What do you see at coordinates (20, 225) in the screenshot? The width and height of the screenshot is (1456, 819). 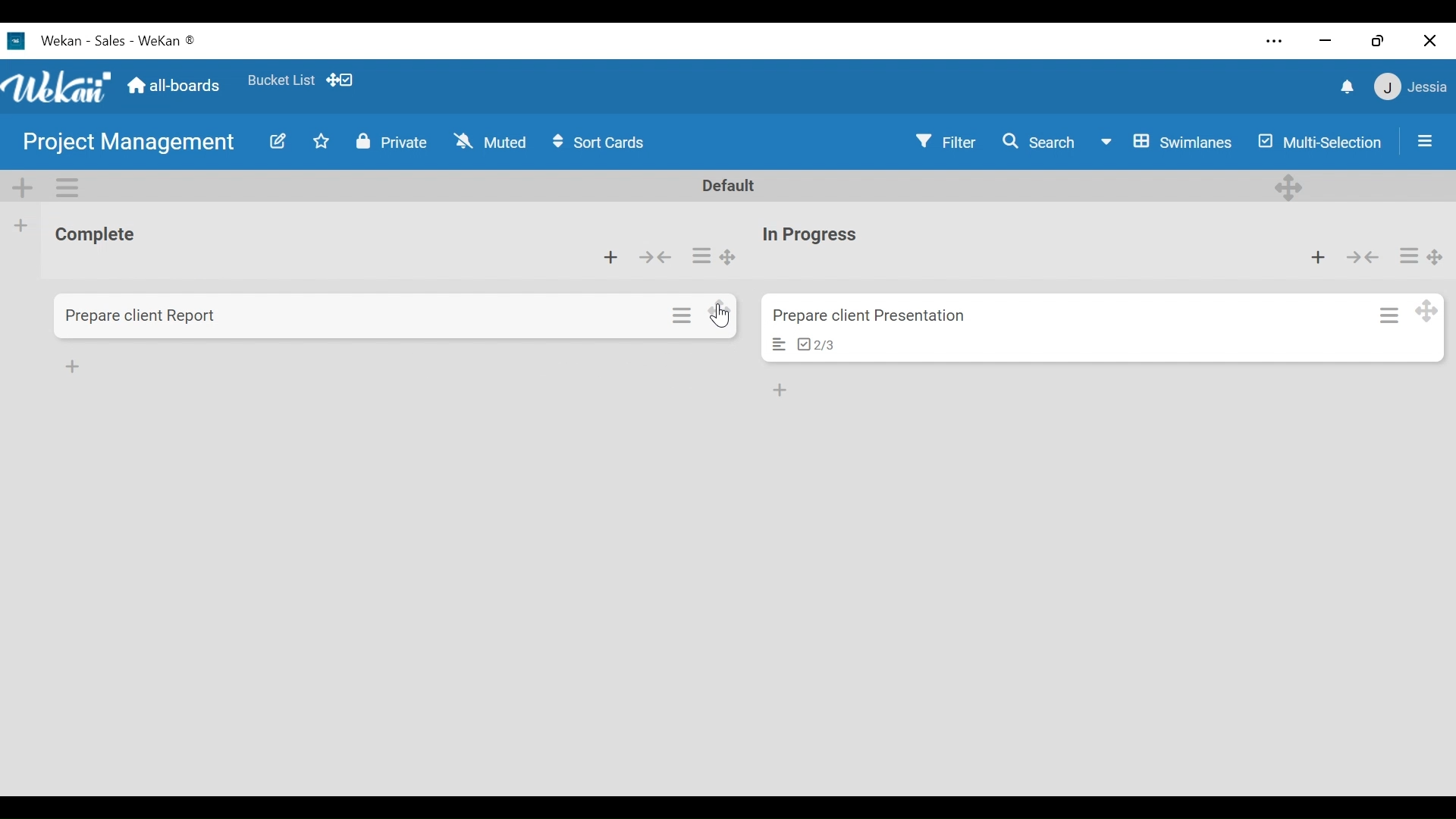 I see `Add list ` at bounding box center [20, 225].